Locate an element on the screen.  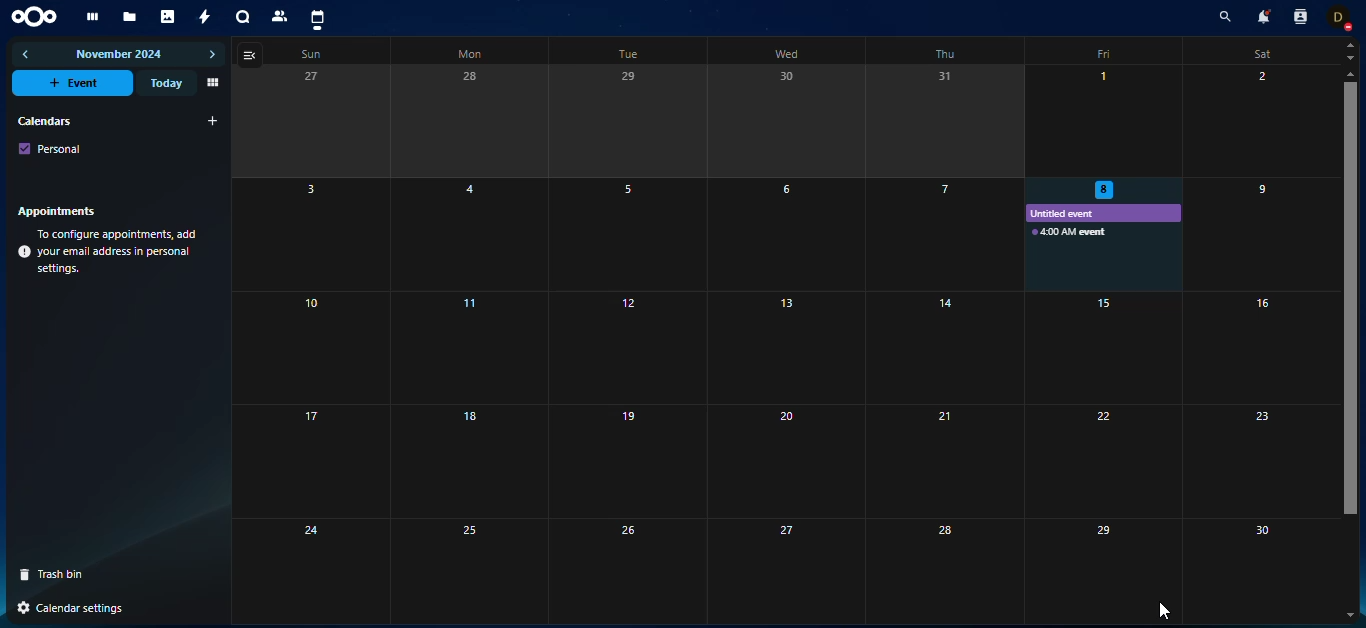
30 is located at coordinates (786, 122).